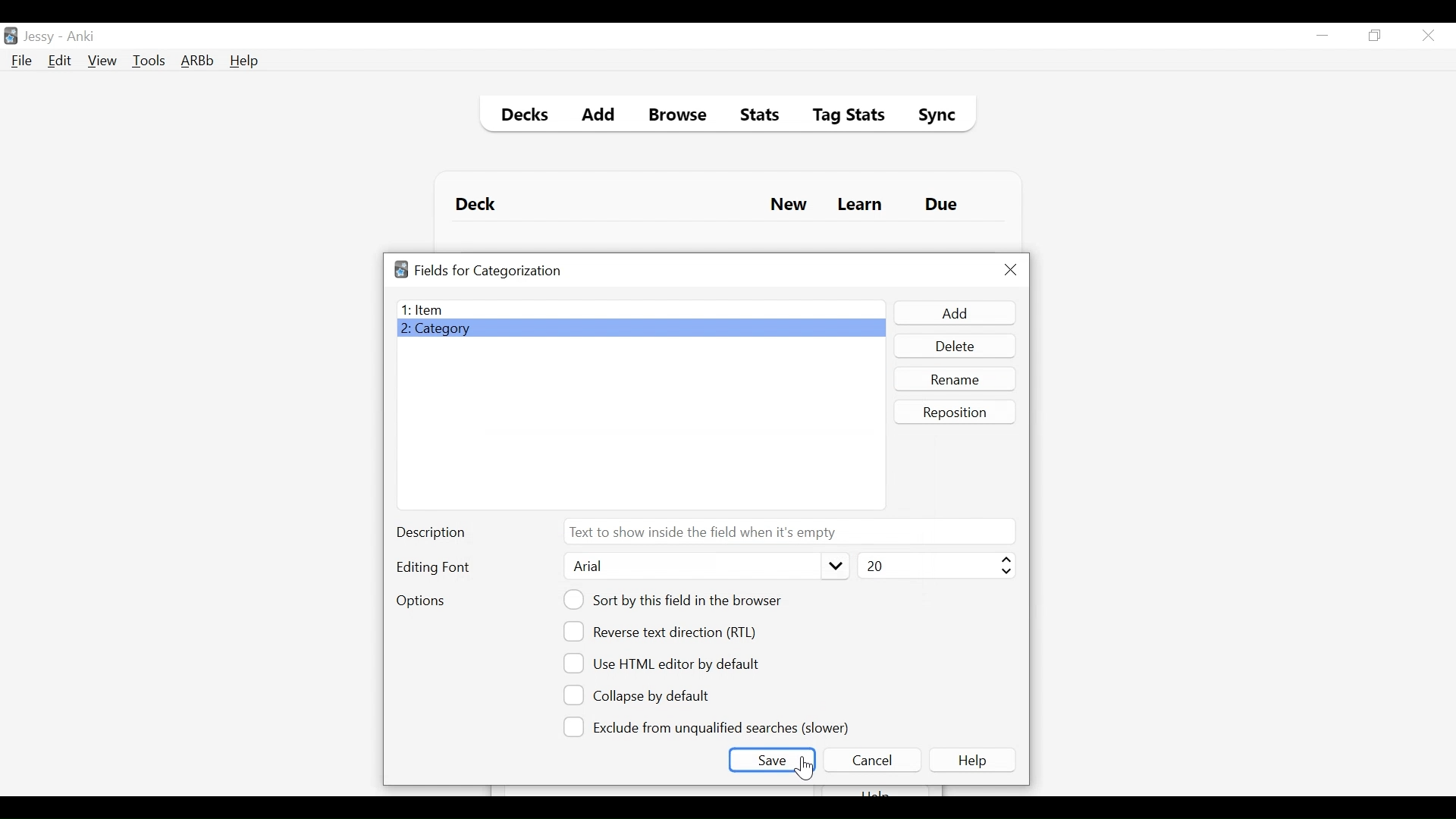 Image resolution: width=1456 pixels, height=819 pixels. What do you see at coordinates (943, 205) in the screenshot?
I see `Due` at bounding box center [943, 205].